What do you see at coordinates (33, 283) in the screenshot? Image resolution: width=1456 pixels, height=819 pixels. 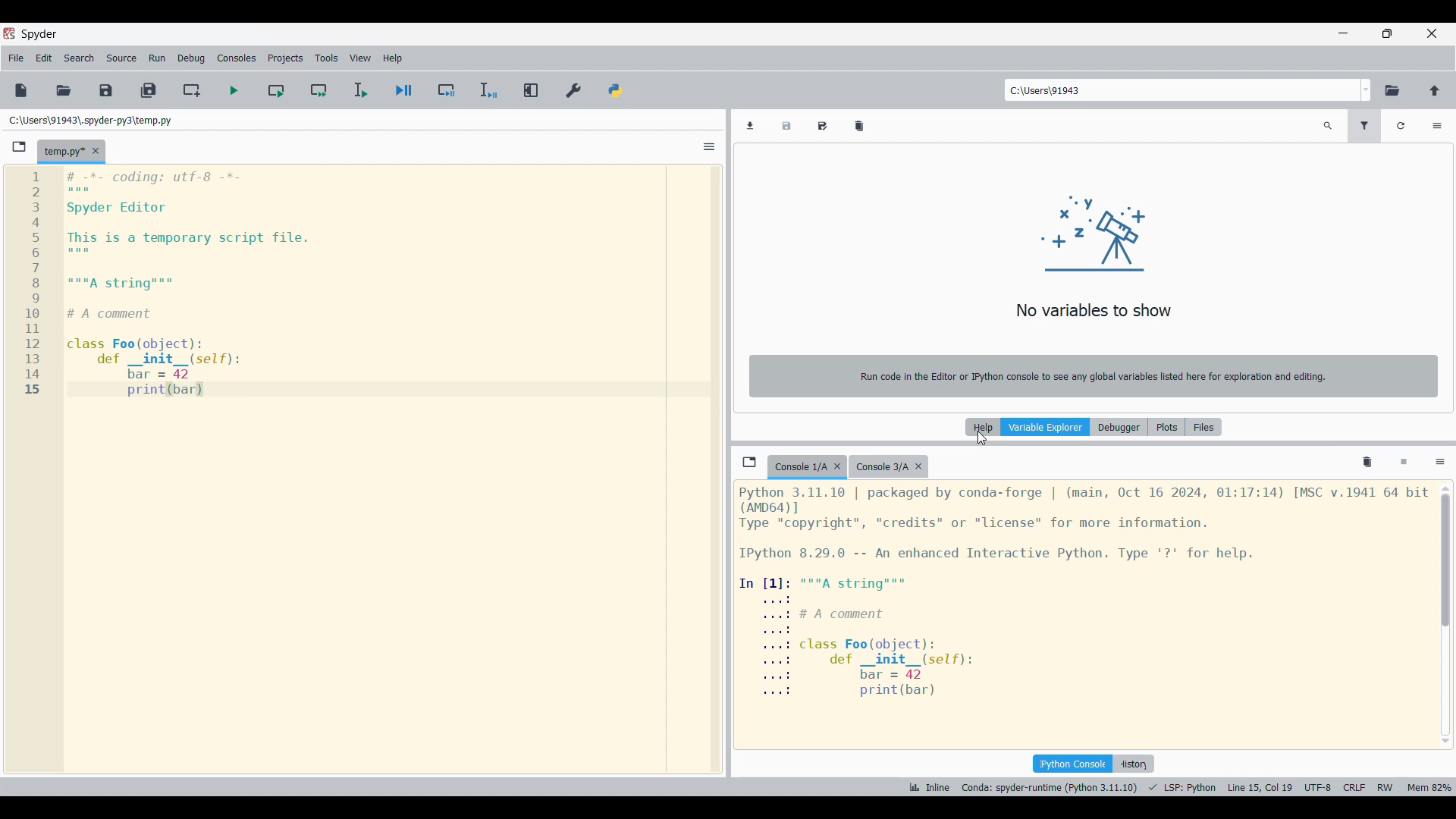 I see `line numbers` at bounding box center [33, 283].